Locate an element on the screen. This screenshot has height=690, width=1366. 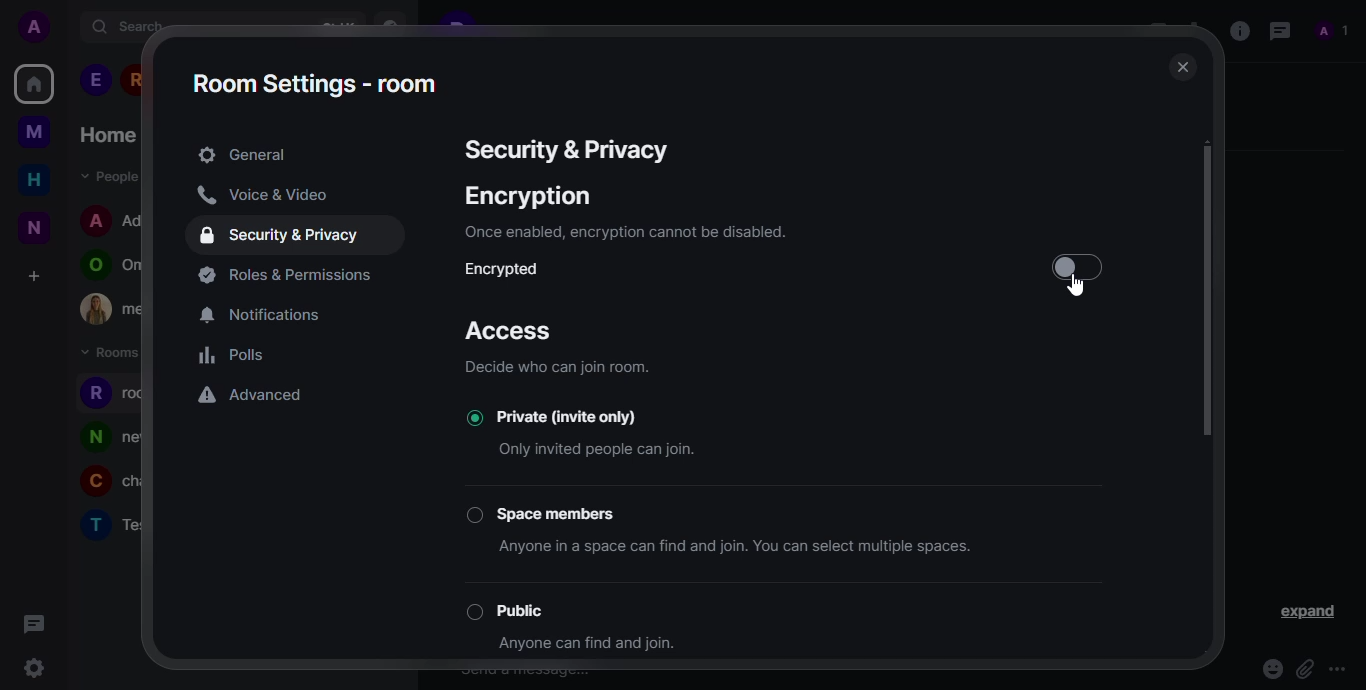
info- once enabled, encryptionn cannot be disabled. is located at coordinates (639, 233).